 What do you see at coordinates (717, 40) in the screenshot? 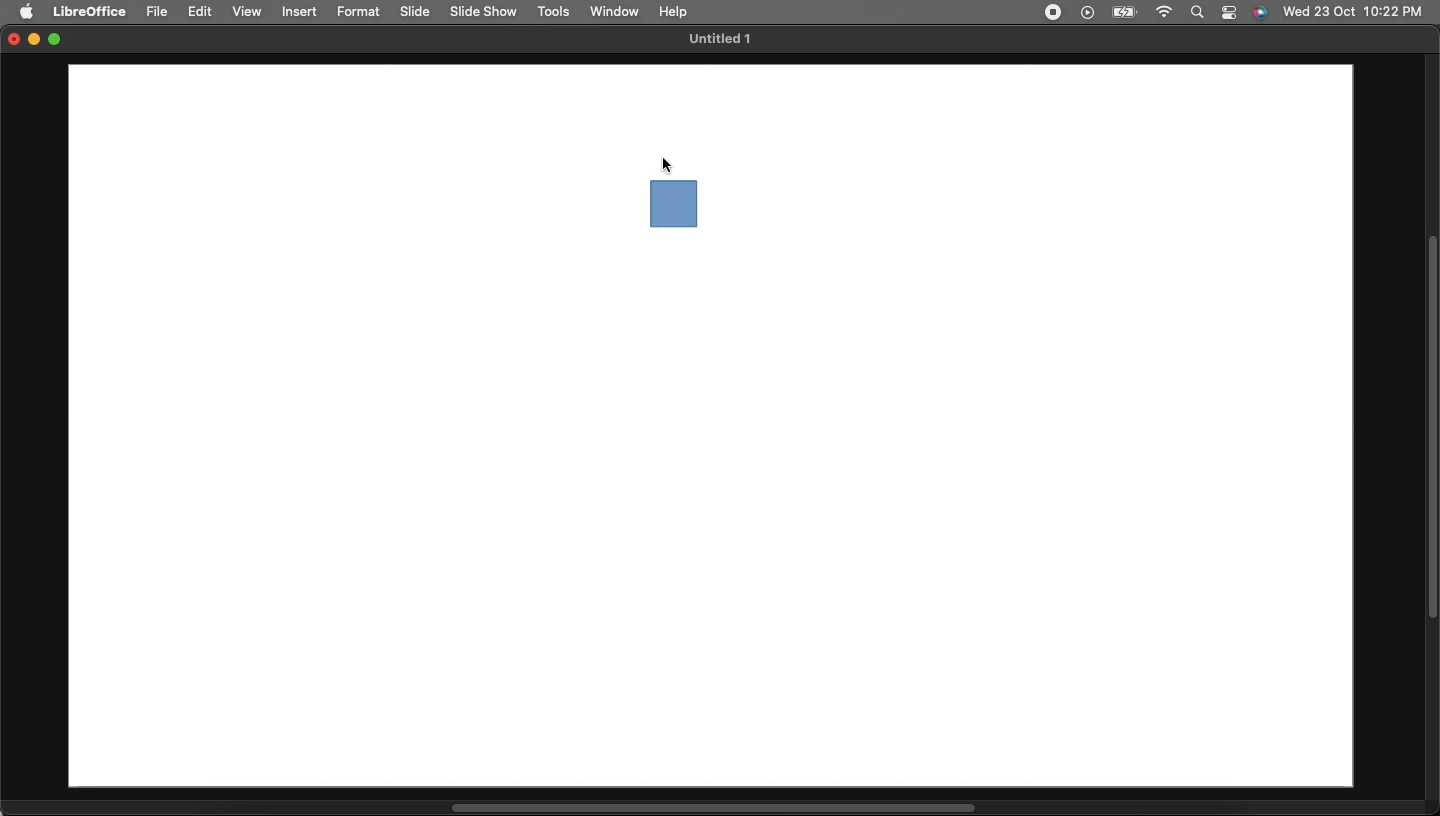
I see `Untitled 1` at bounding box center [717, 40].